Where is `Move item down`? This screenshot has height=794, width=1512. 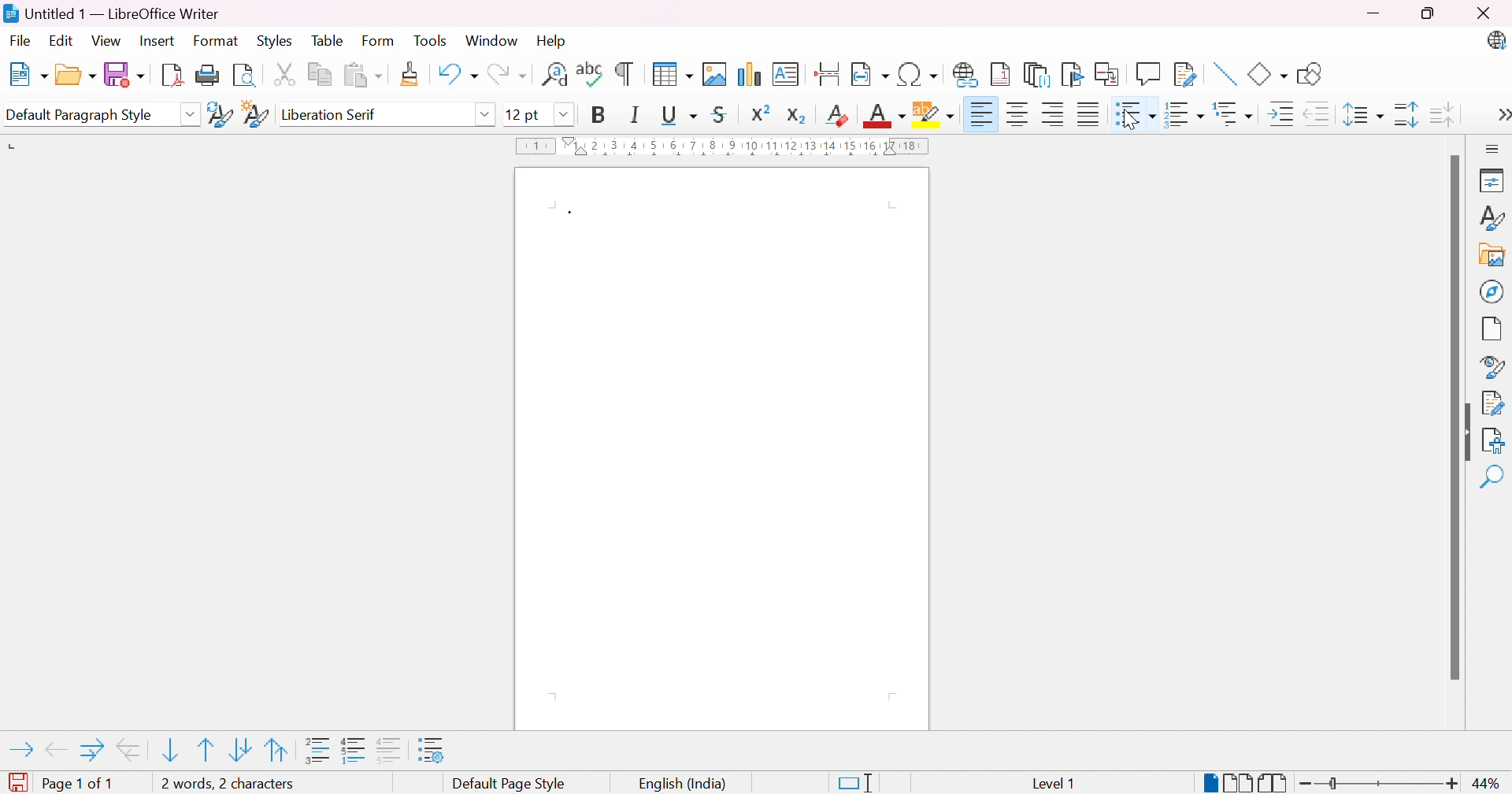
Move item down is located at coordinates (171, 750).